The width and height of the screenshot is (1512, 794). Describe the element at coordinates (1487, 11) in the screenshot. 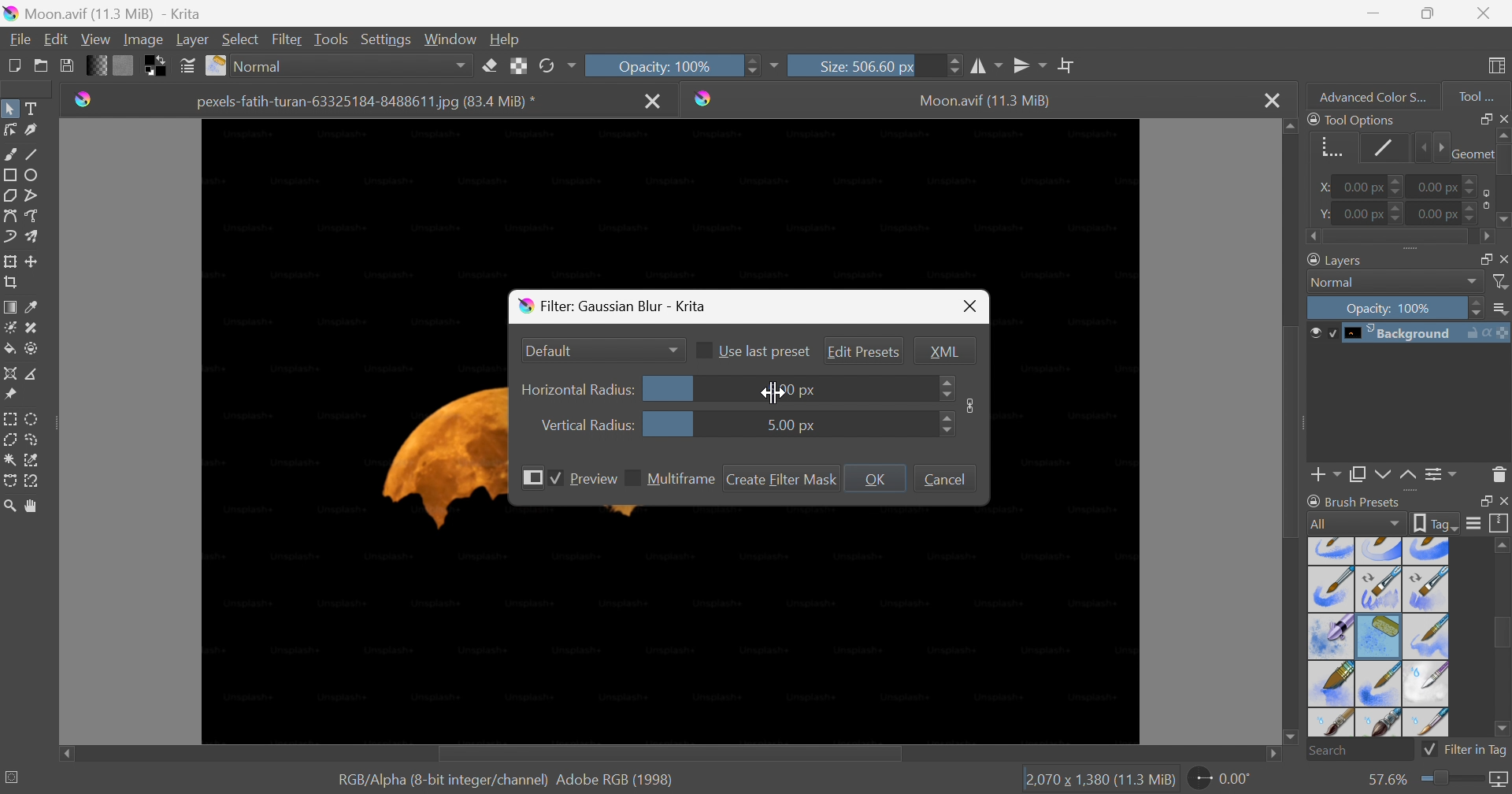

I see `Close` at that location.